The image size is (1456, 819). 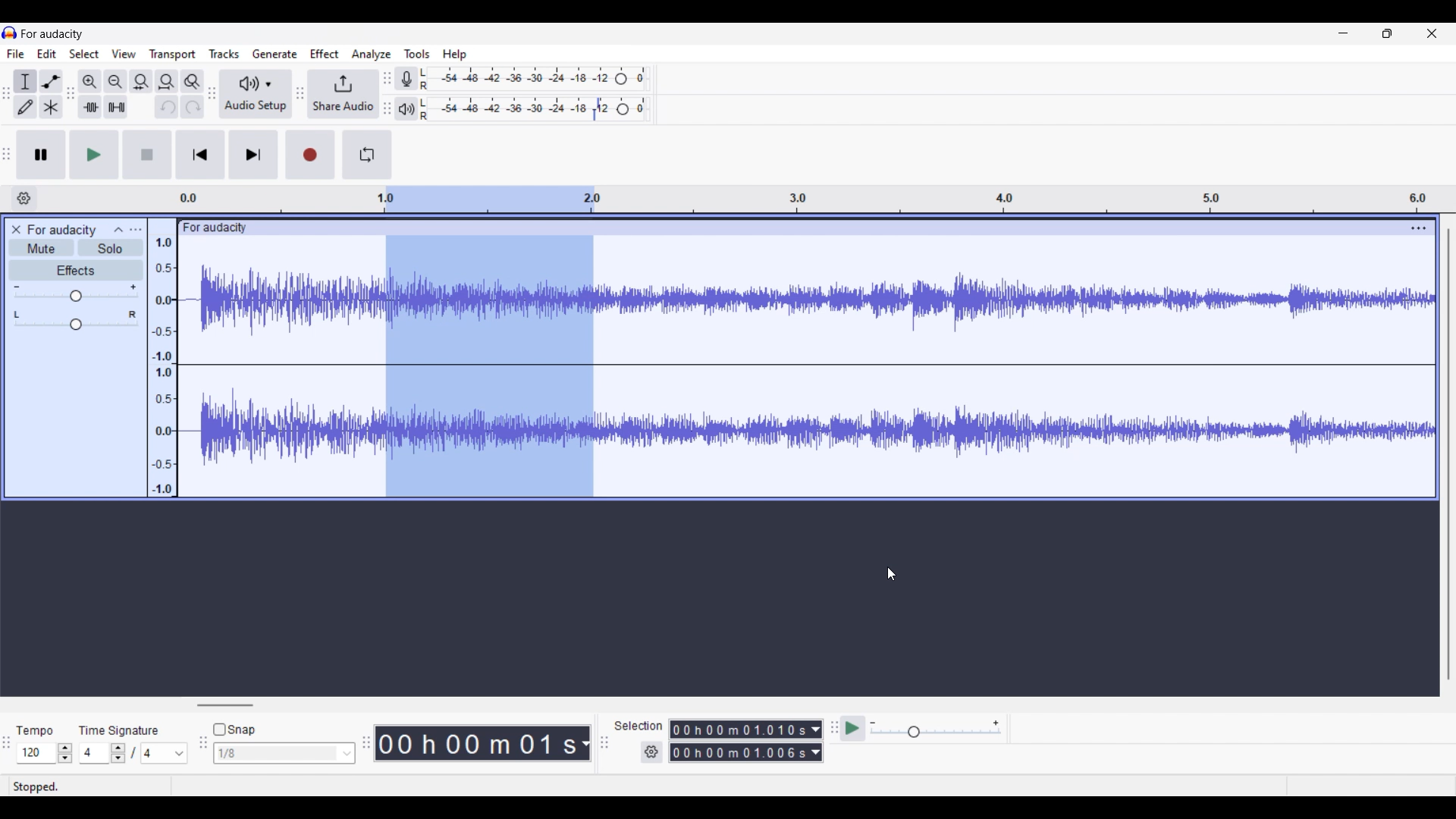 I want to click on 0 0 h 0 0 m 0 0 0 0 0 s     0 0 h 02 m 1 3 0 6 8 s, so click(x=739, y=741).